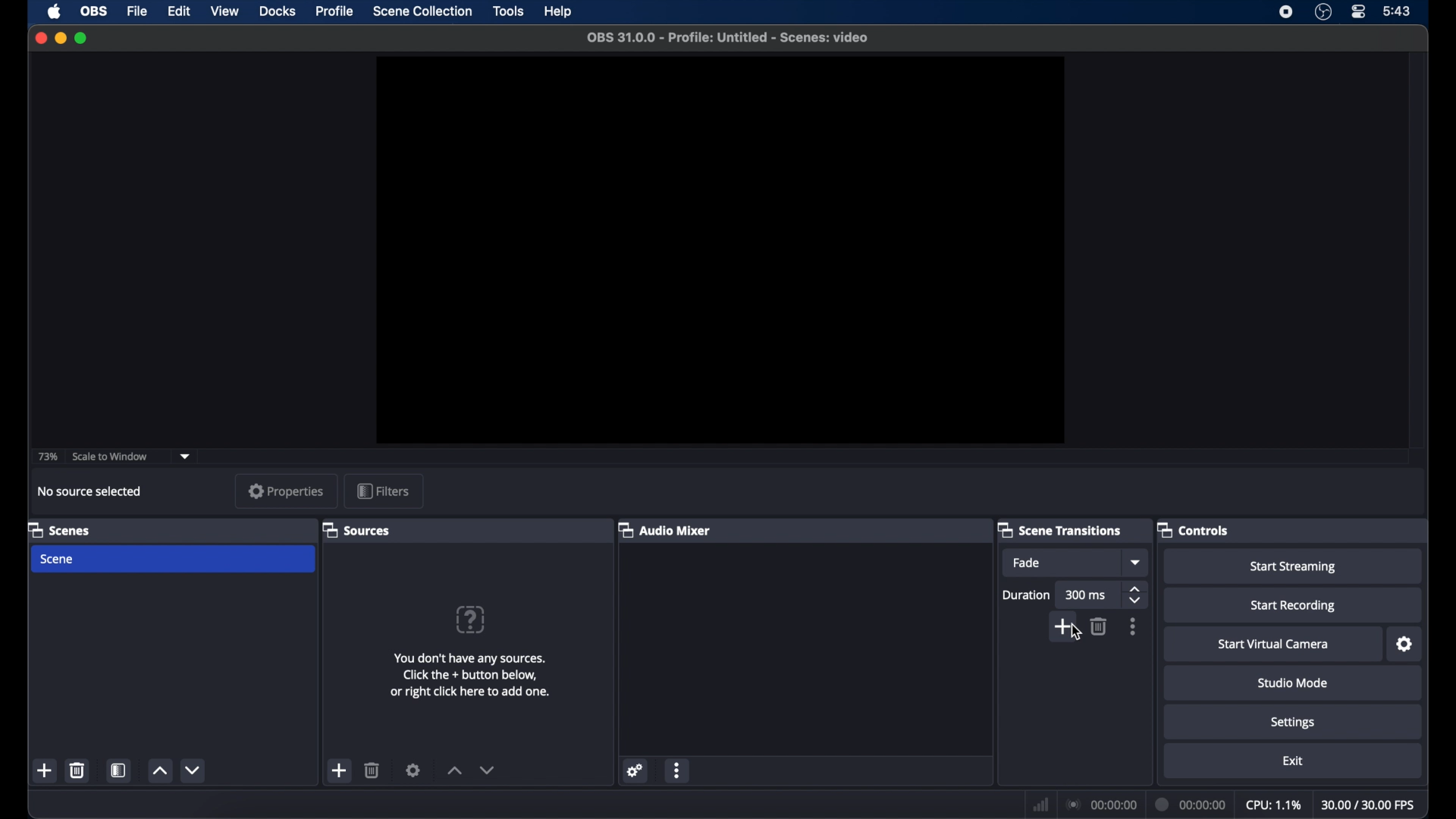 The height and width of the screenshot is (819, 1456). Describe the element at coordinates (110, 455) in the screenshot. I see `scale to window` at that location.